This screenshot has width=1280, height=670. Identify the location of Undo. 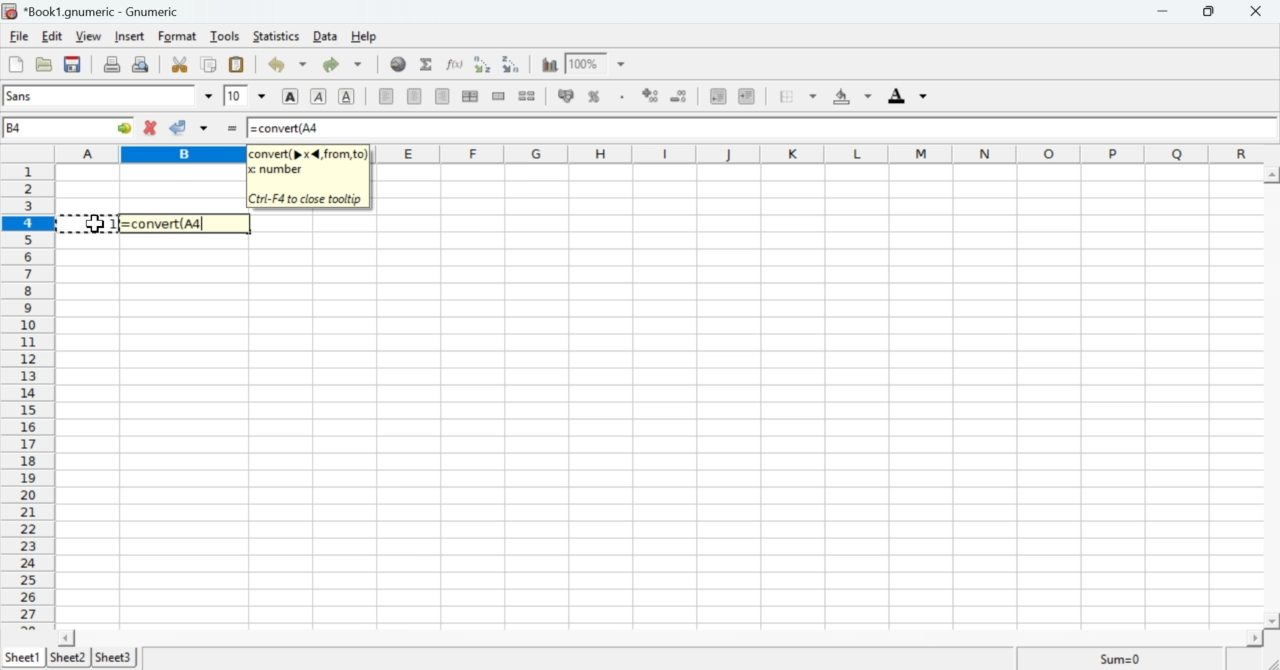
(289, 64).